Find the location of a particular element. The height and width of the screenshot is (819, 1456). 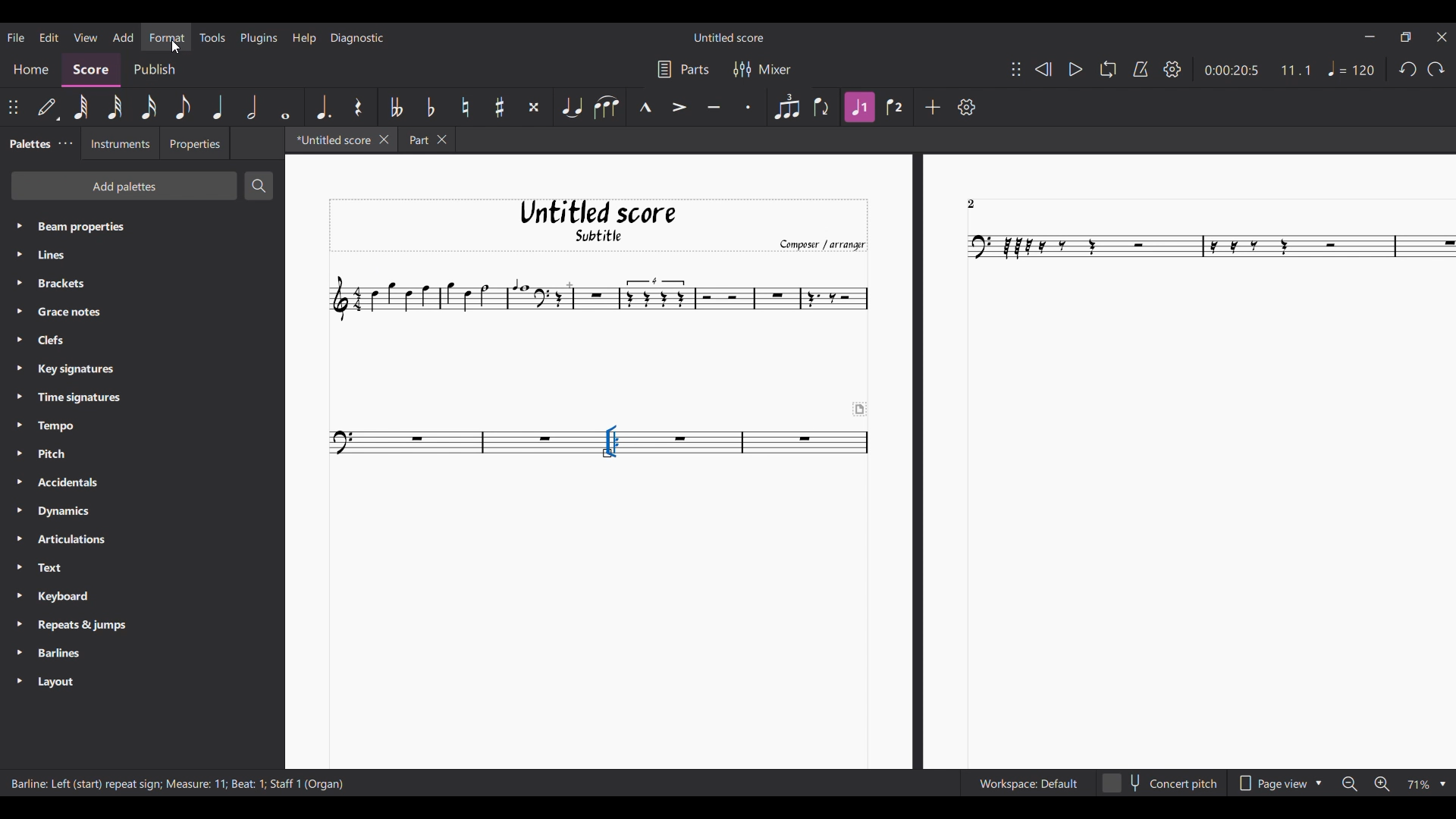

File menu is located at coordinates (16, 38).